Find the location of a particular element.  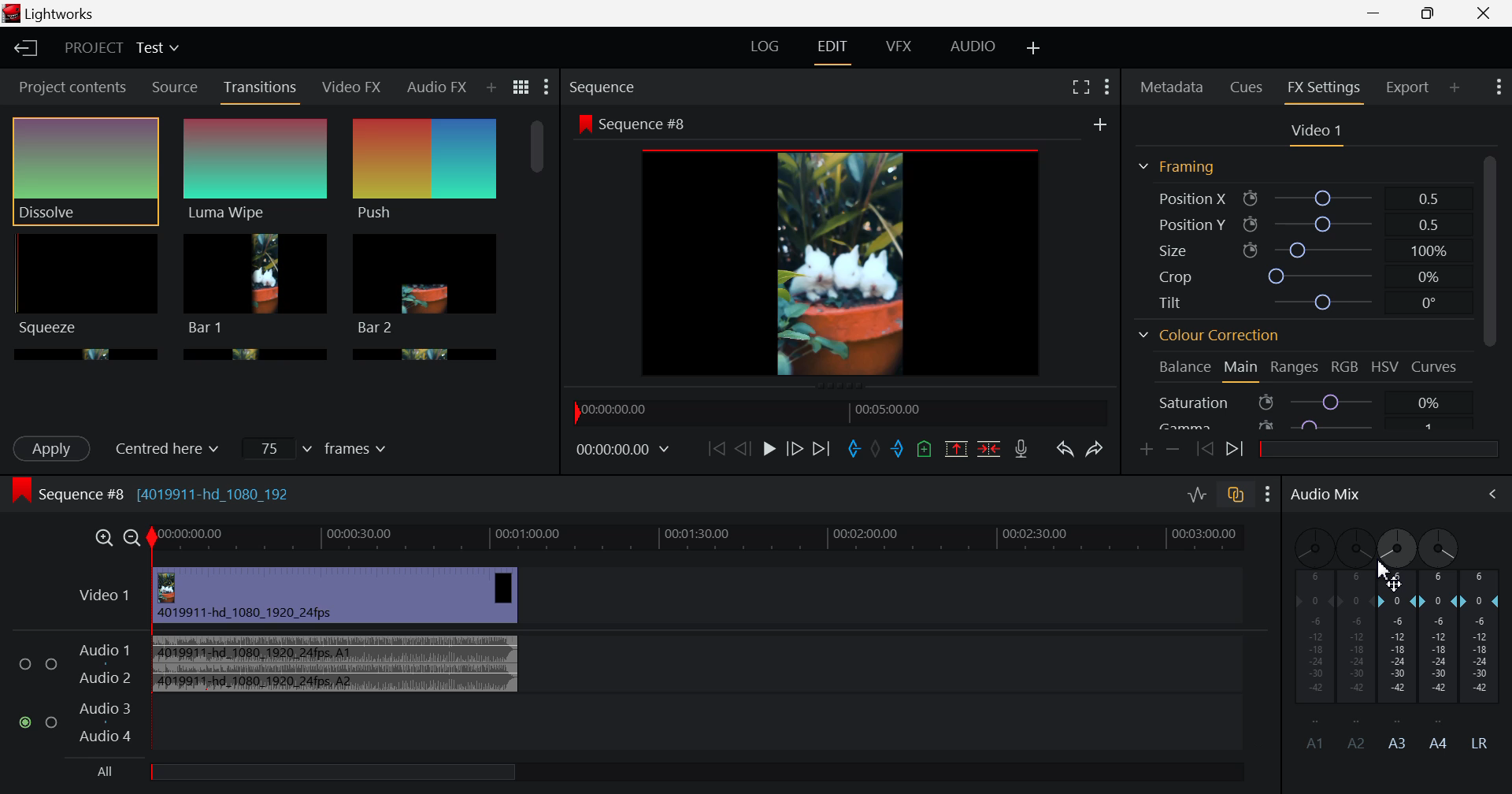

Delete/Cut is located at coordinates (991, 448).